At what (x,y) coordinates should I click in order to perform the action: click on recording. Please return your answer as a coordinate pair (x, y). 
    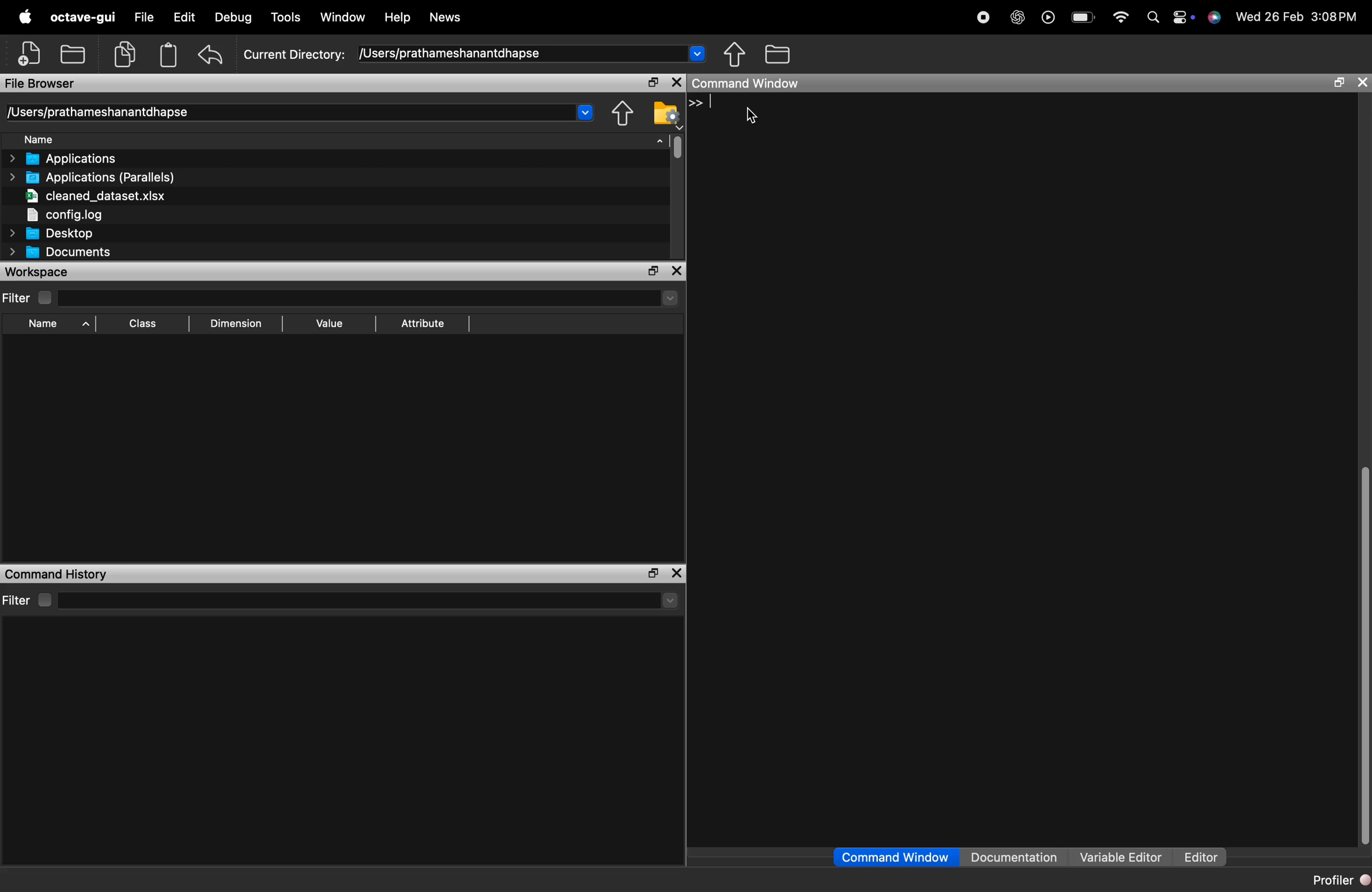
    Looking at the image, I should click on (985, 20).